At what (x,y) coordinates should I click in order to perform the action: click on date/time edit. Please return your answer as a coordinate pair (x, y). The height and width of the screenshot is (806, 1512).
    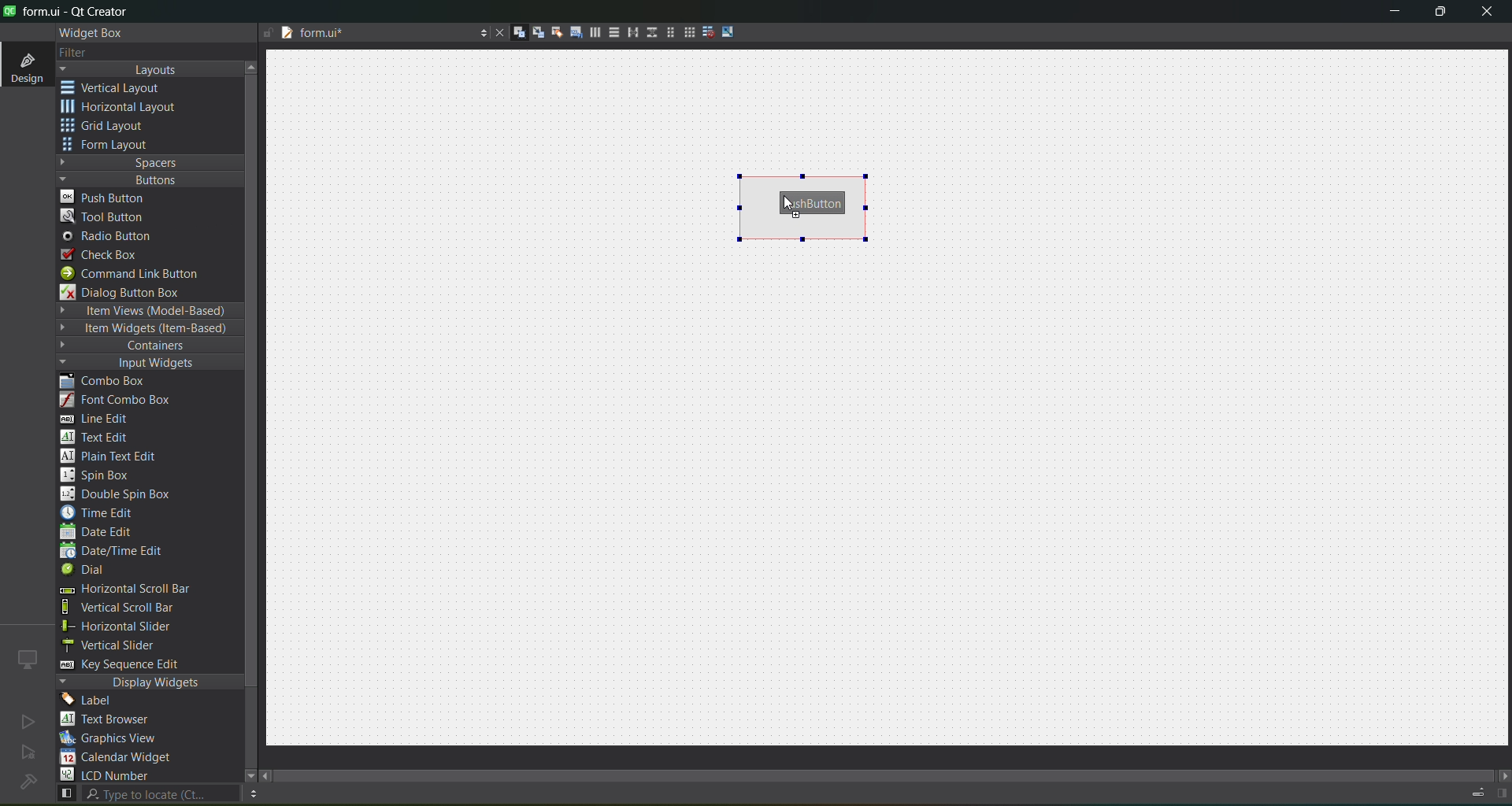
    Looking at the image, I should click on (126, 552).